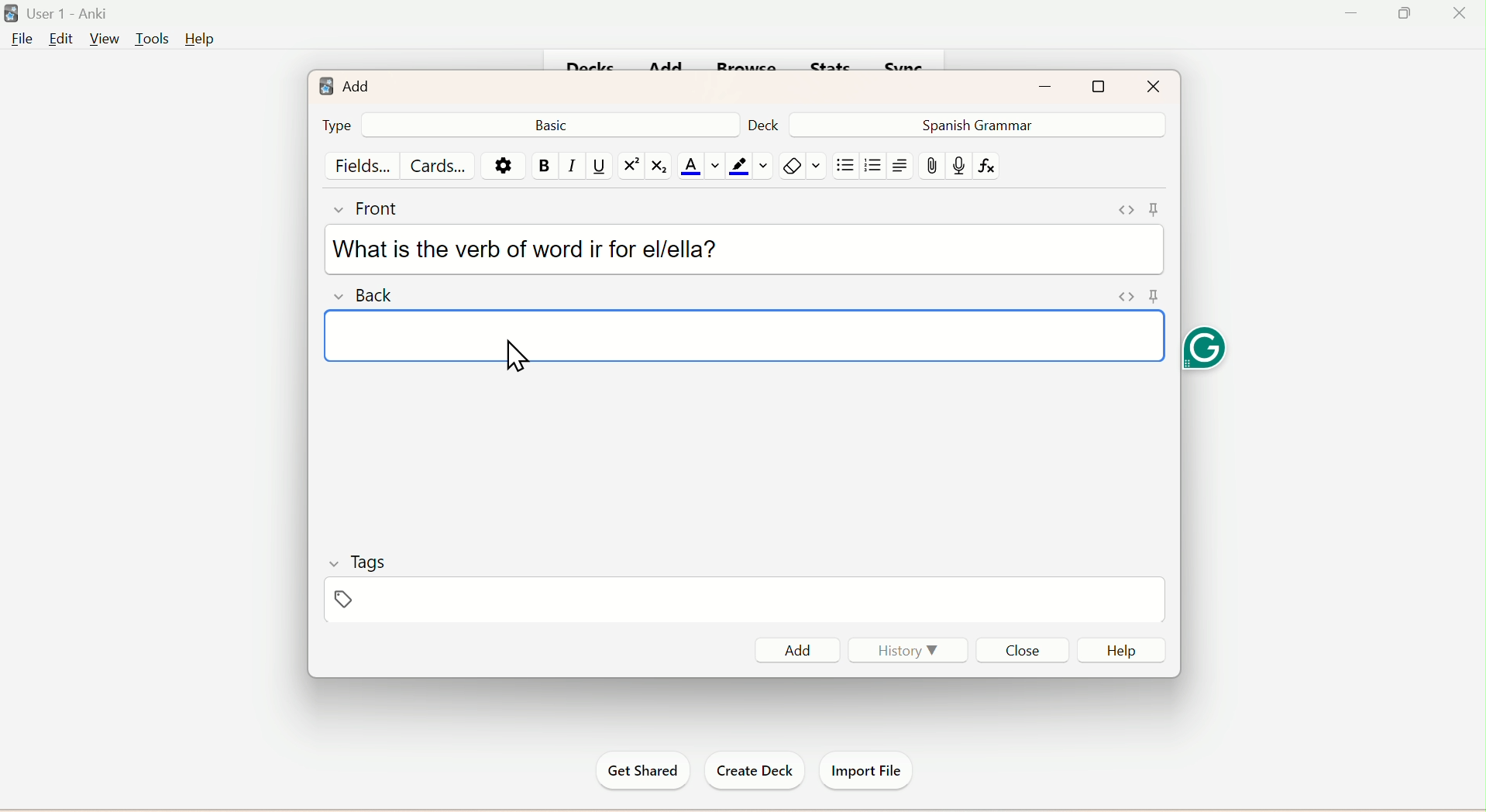 Image resolution: width=1486 pixels, height=812 pixels. I want to click on Fields..., so click(364, 164).